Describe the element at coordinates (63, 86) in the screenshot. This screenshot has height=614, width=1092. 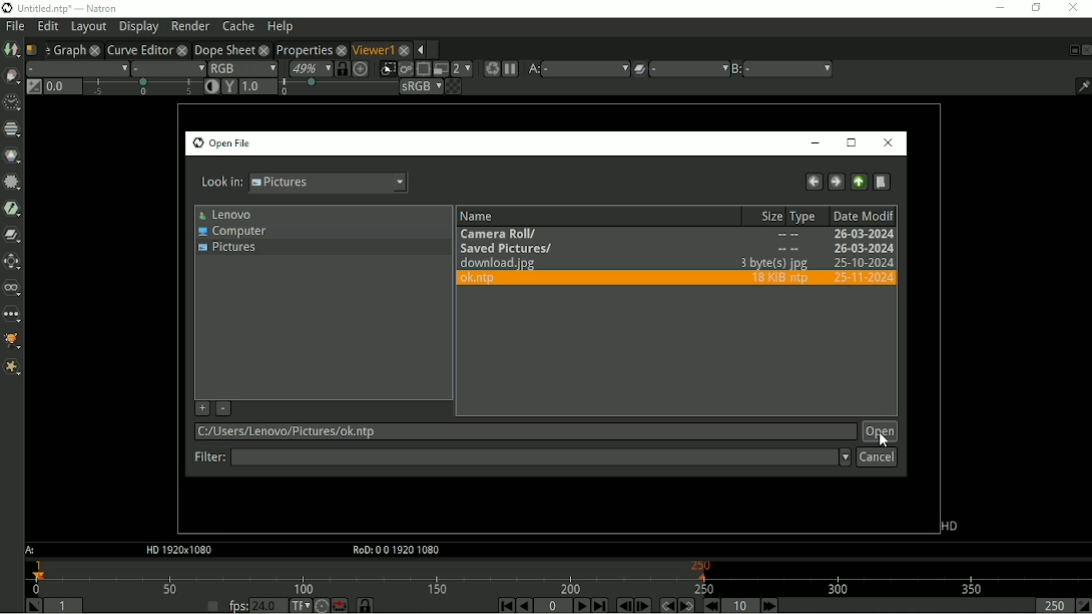
I see `Gain` at that location.